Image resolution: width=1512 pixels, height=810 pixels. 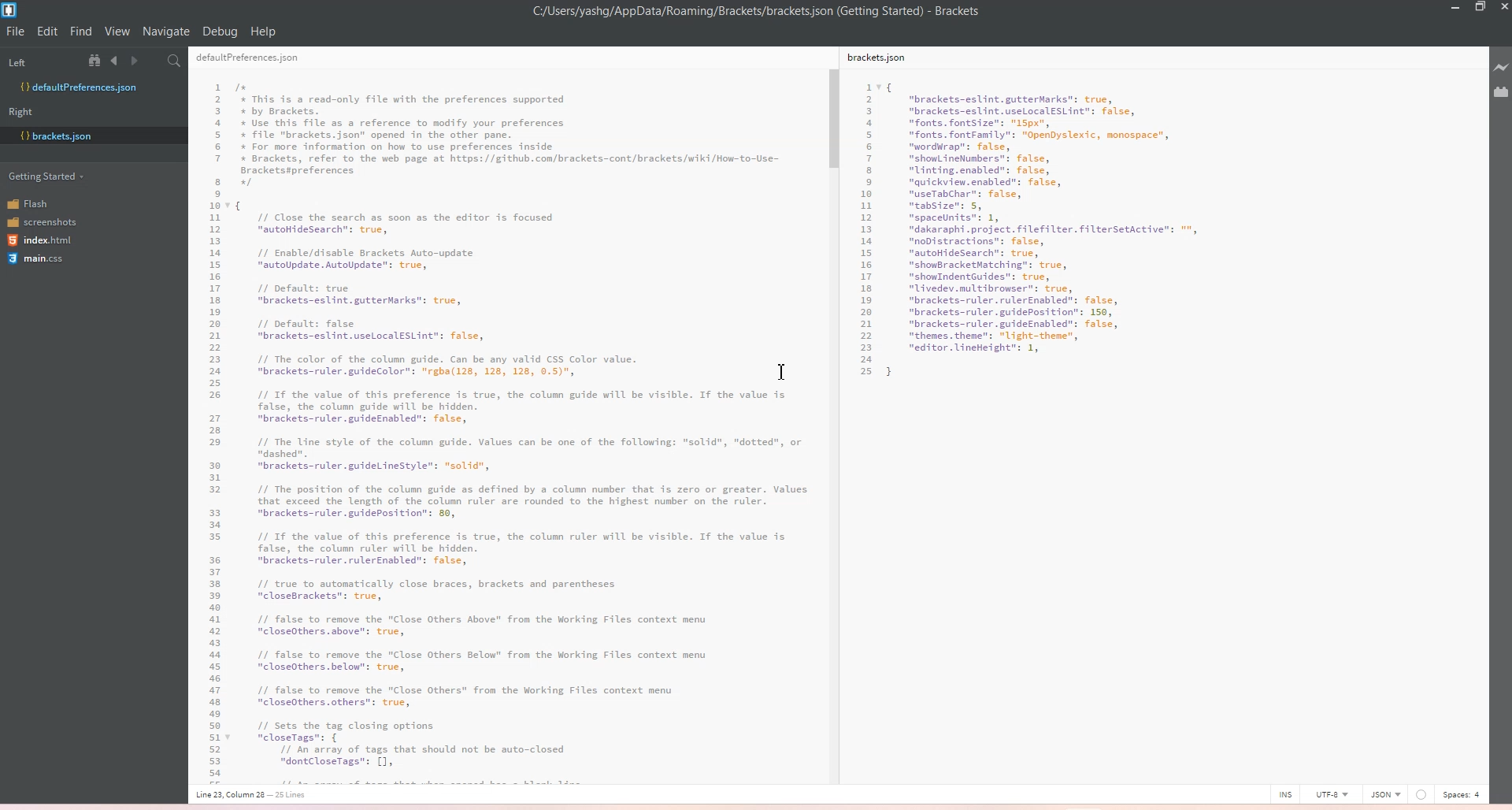 I want to click on Debug, so click(x=220, y=32).